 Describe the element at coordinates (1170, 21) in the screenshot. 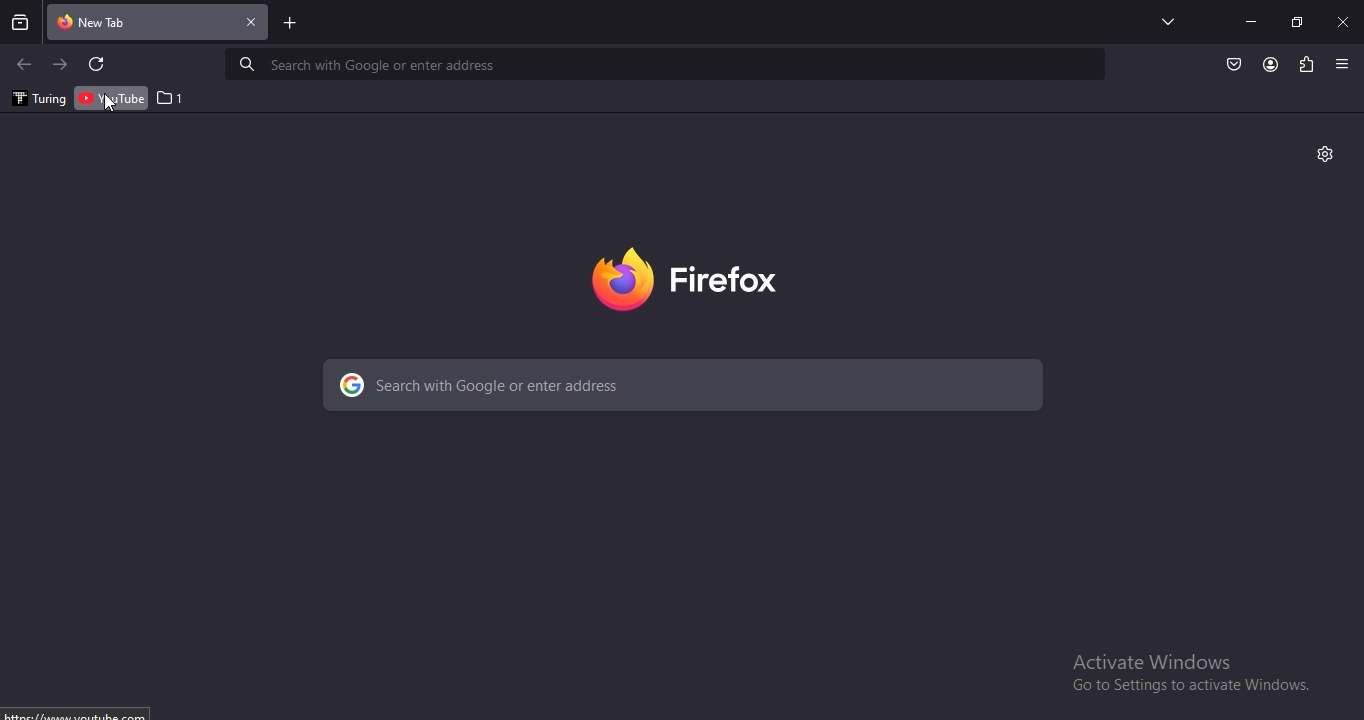

I see `search tabs` at that location.